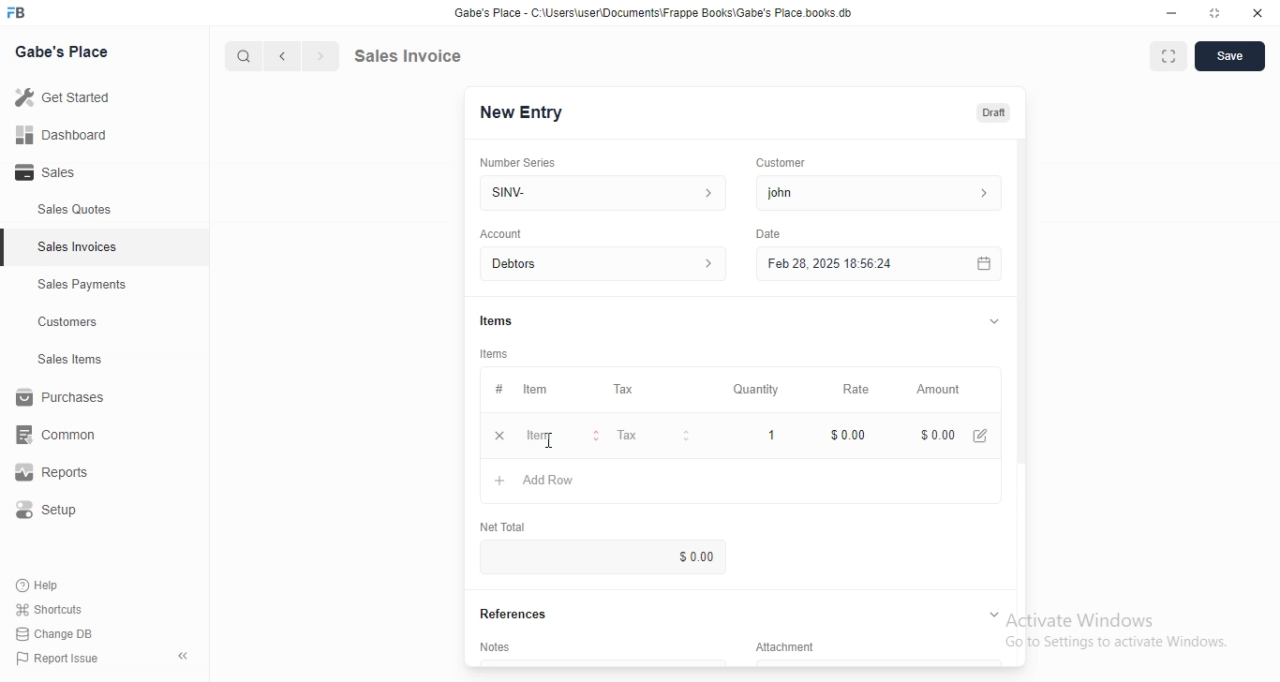  I want to click on Account, so click(607, 264).